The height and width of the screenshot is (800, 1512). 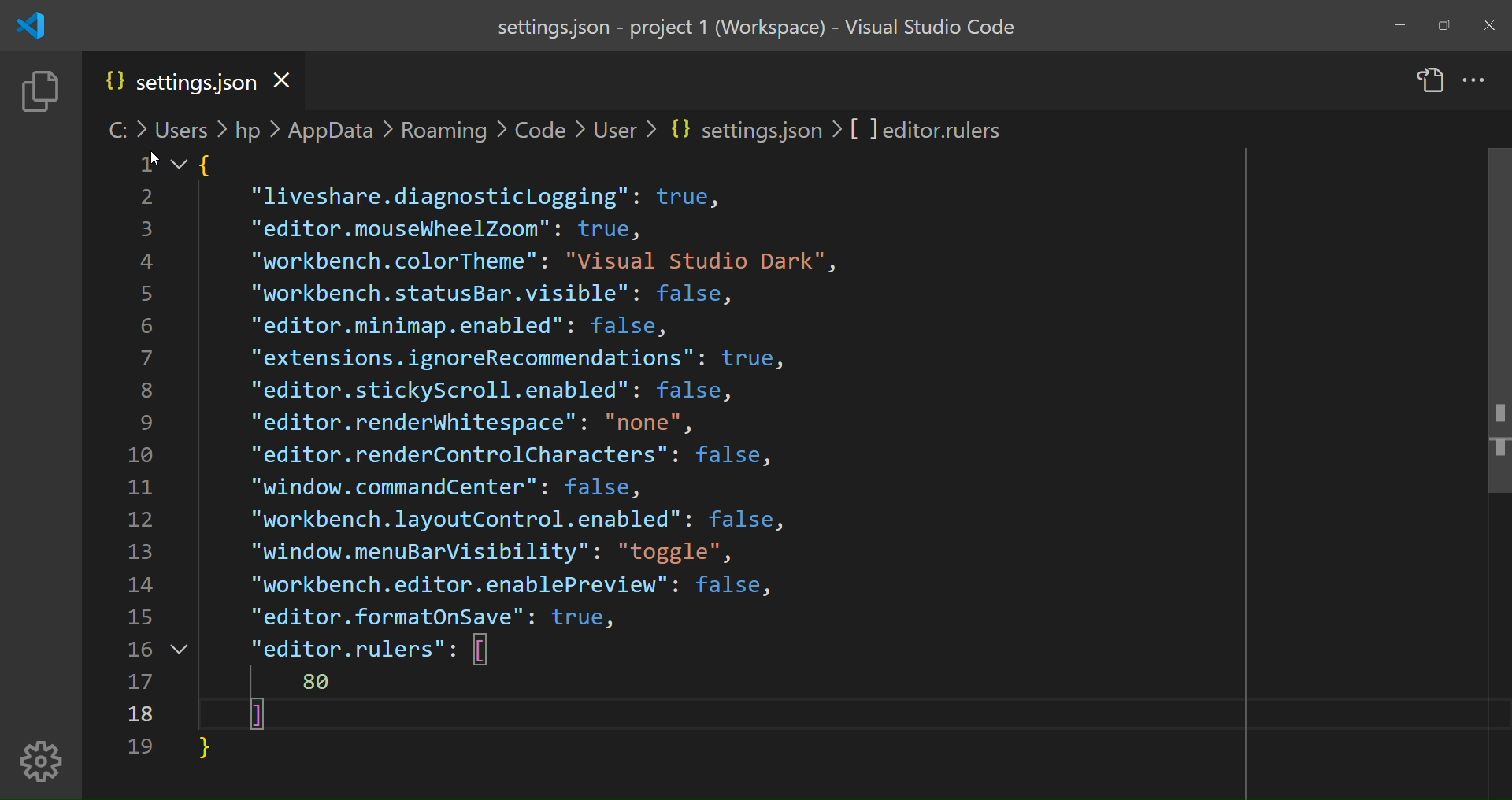 What do you see at coordinates (146, 462) in the screenshot?
I see `line number` at bounding box center [146, 462].